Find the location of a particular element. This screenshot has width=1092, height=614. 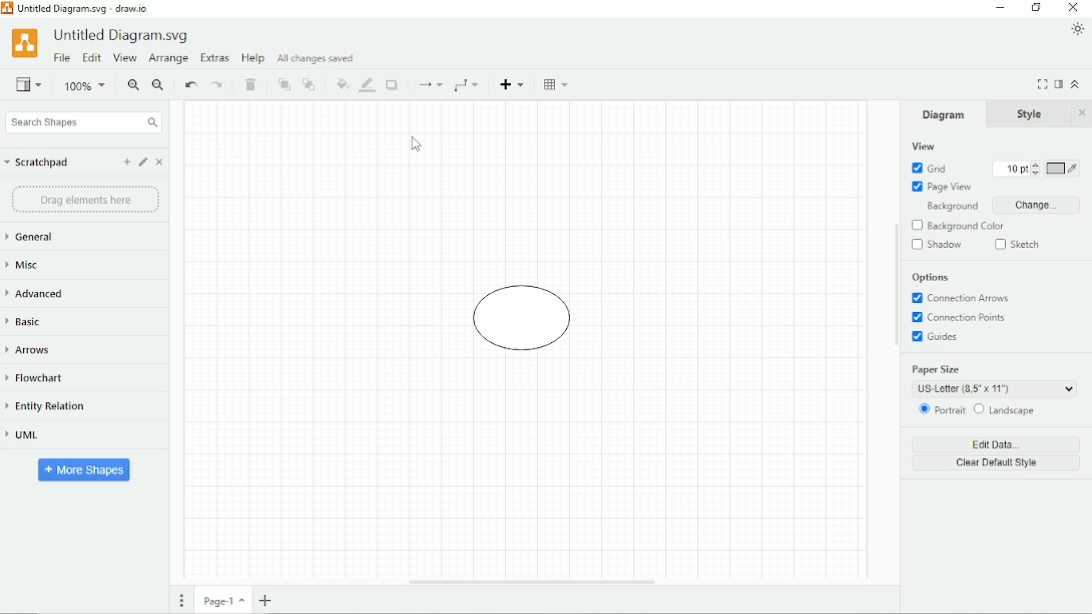

General is located at coordinates (31, 237).